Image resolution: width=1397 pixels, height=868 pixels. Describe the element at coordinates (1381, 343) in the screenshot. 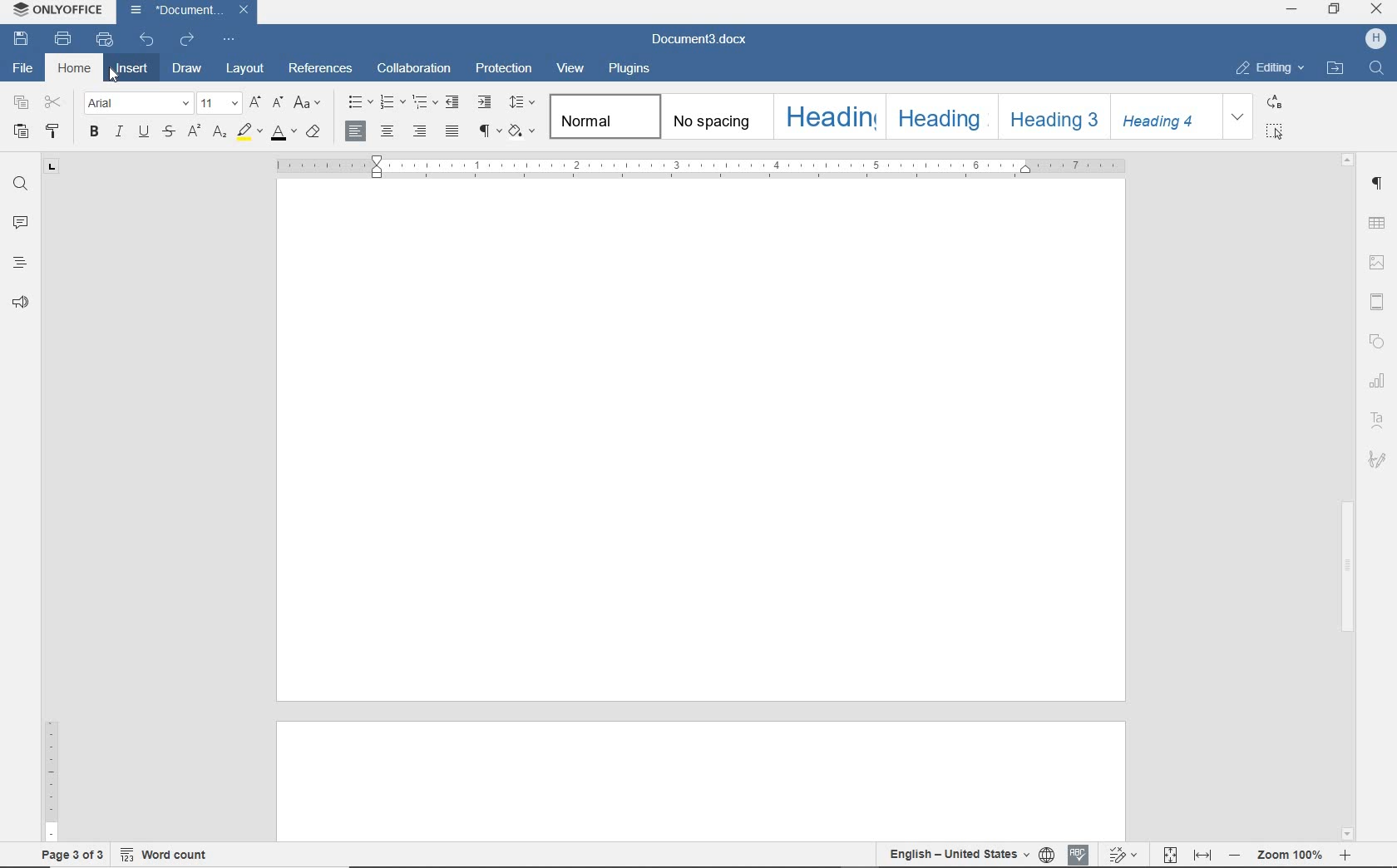

I see `Shapes` at that location.